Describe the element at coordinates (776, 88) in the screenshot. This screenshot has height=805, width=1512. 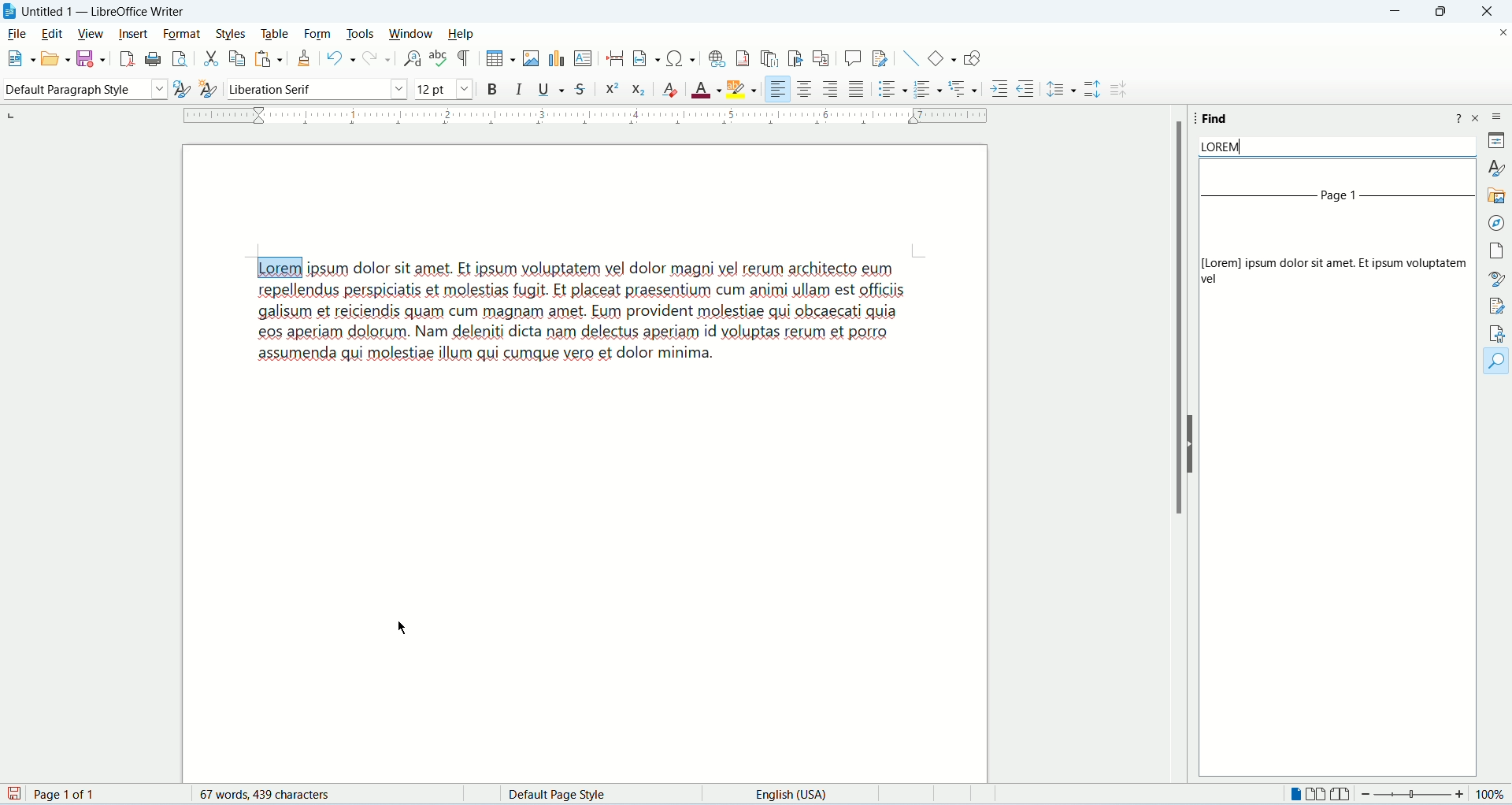
I see `align left` at that location.